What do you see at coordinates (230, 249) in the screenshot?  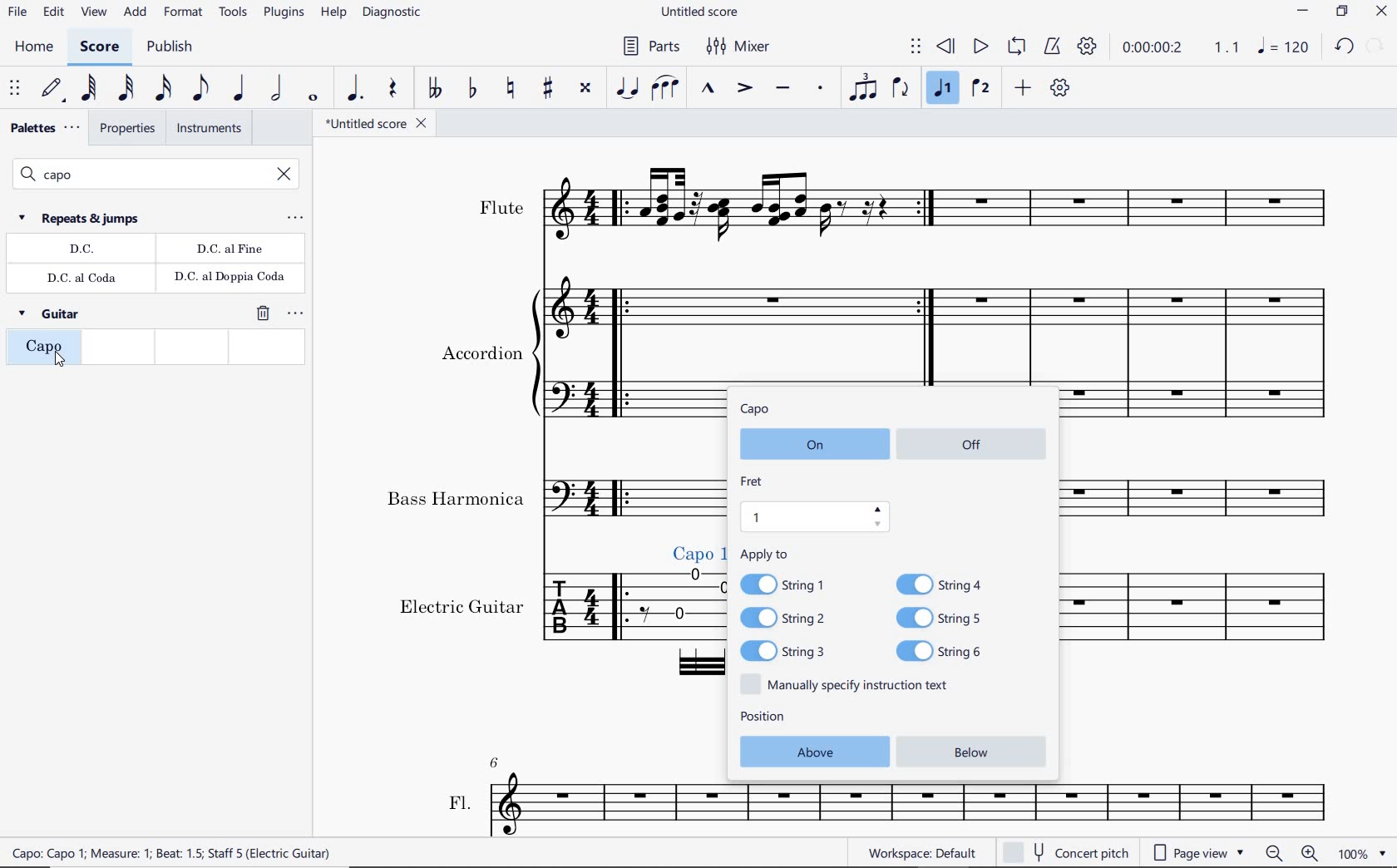 I see `D.C. al Fine` at bounding box center [230, 249].